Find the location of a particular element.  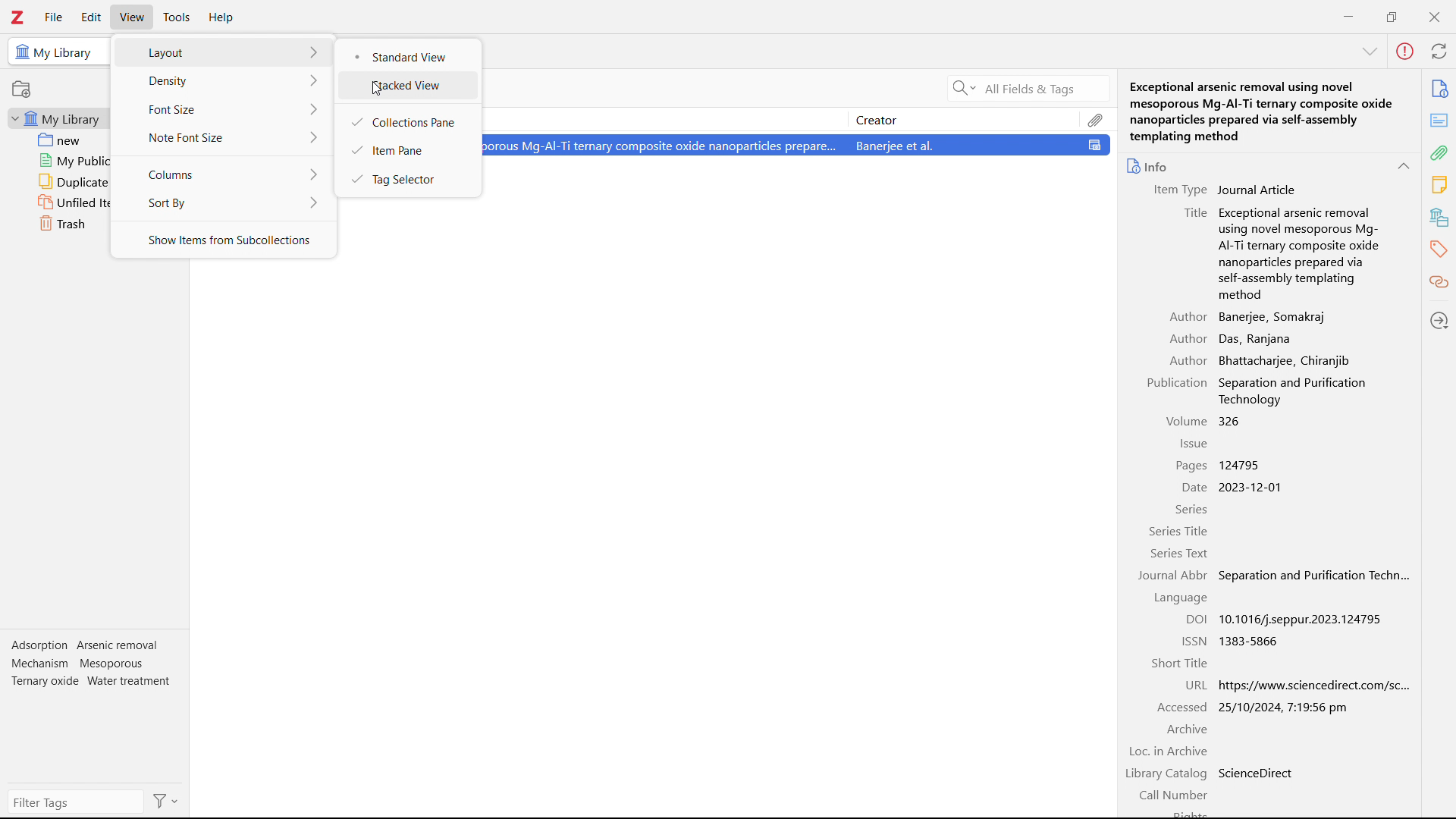

Journal Abbr is located at coordinates (1173, 576).